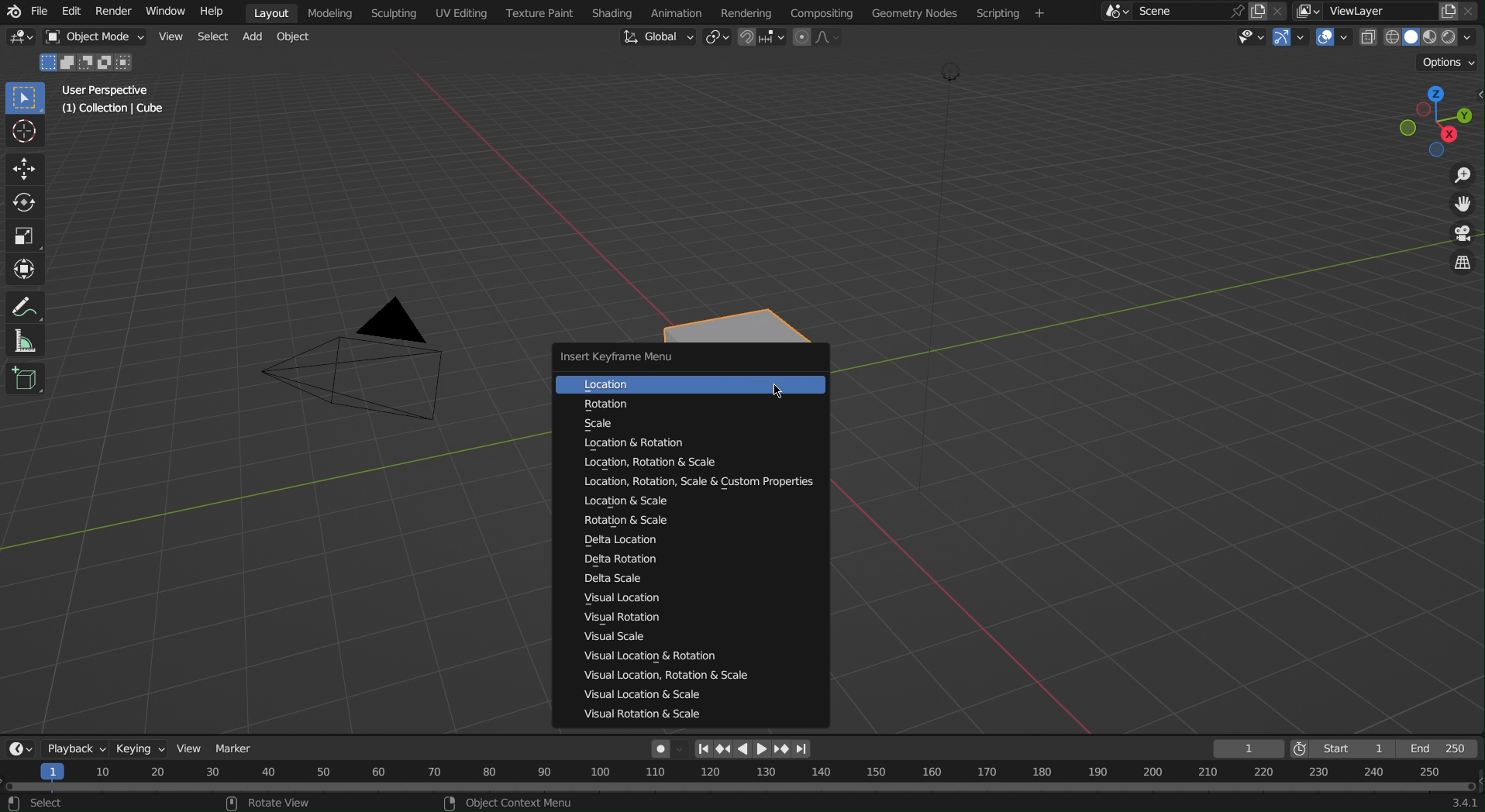 This screenshot has height=812, width=1485. What do you see at coordinates (1280, 12) in the screenshot?
I see `Scene` at bounding box center [1280, 12].